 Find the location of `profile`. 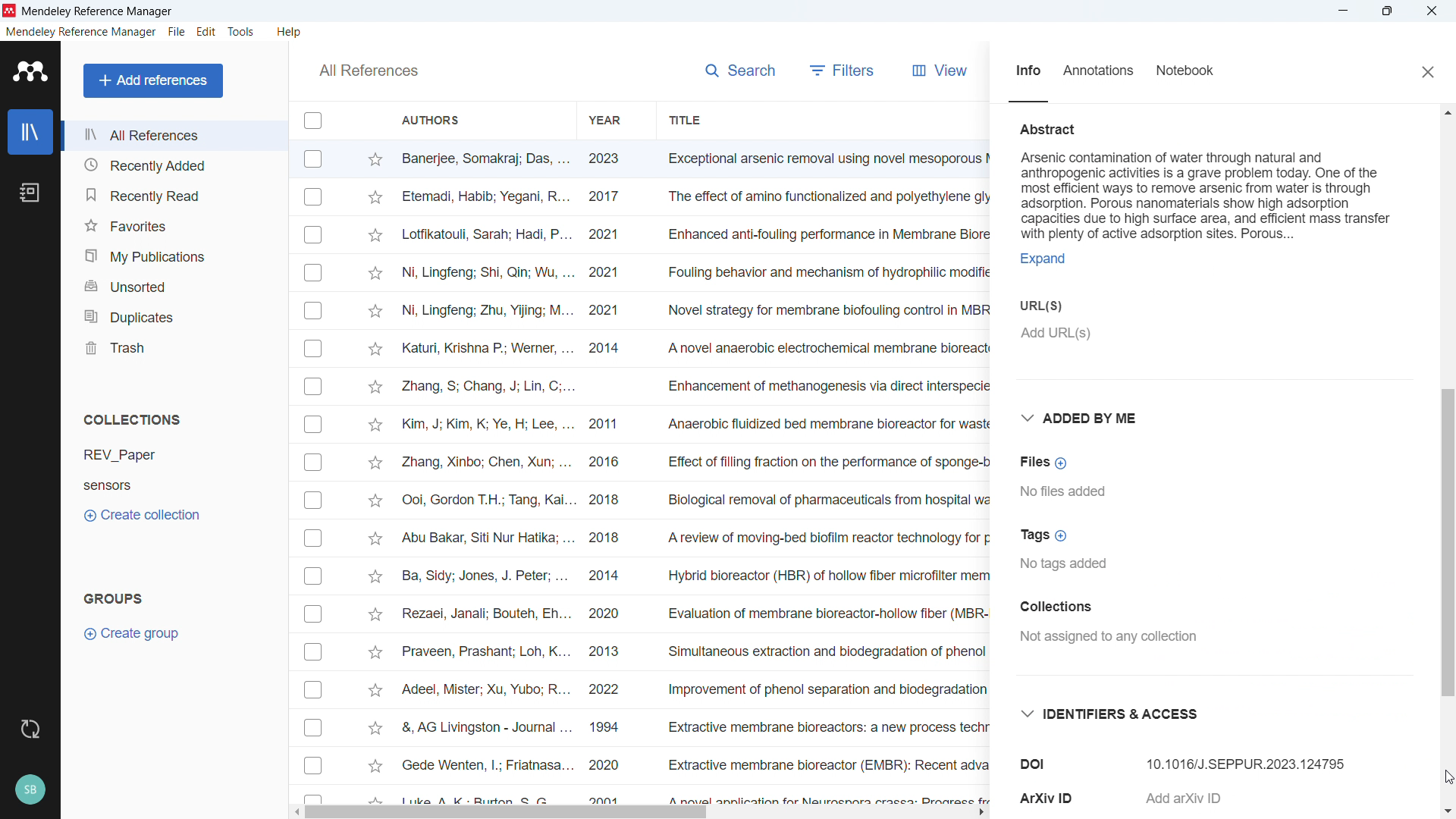

profile is located at coordinates (30, 791).